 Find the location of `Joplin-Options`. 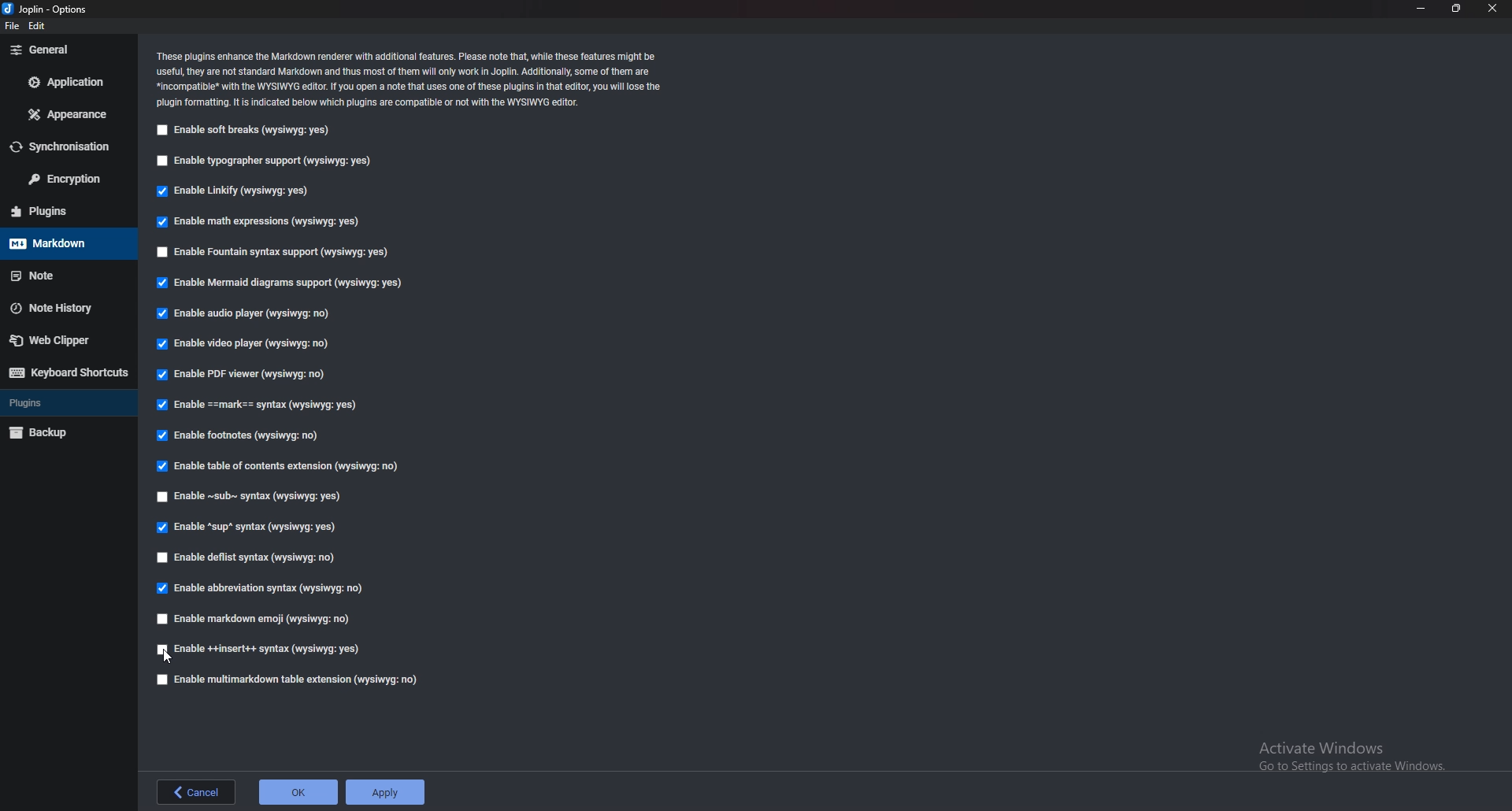

Joplin-Options is located at coordinates (46, 9).